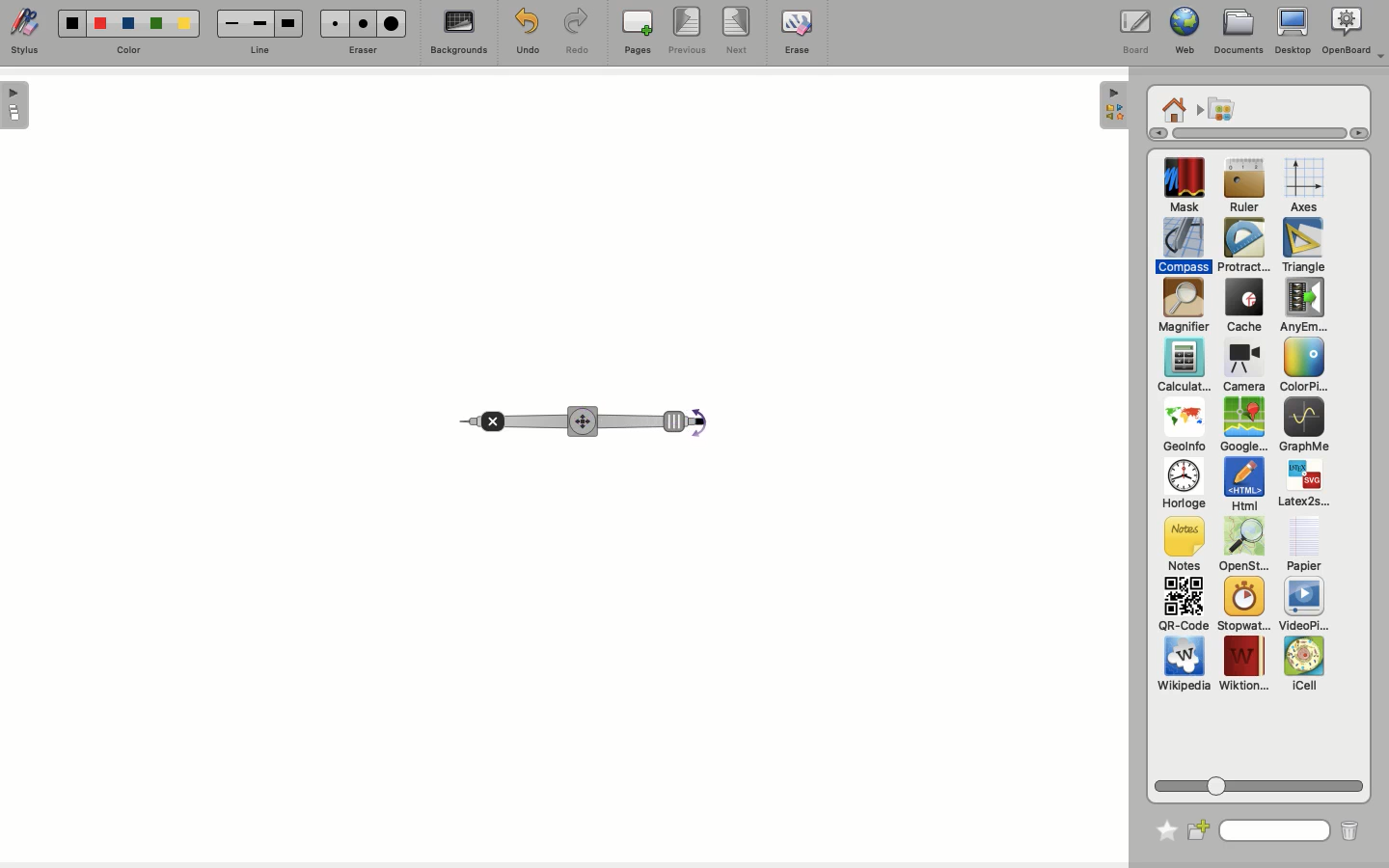 The image size is (1389, 868). Describe the element at coordinates (1275, 828) in the screenshot. I see `Search` at that location.